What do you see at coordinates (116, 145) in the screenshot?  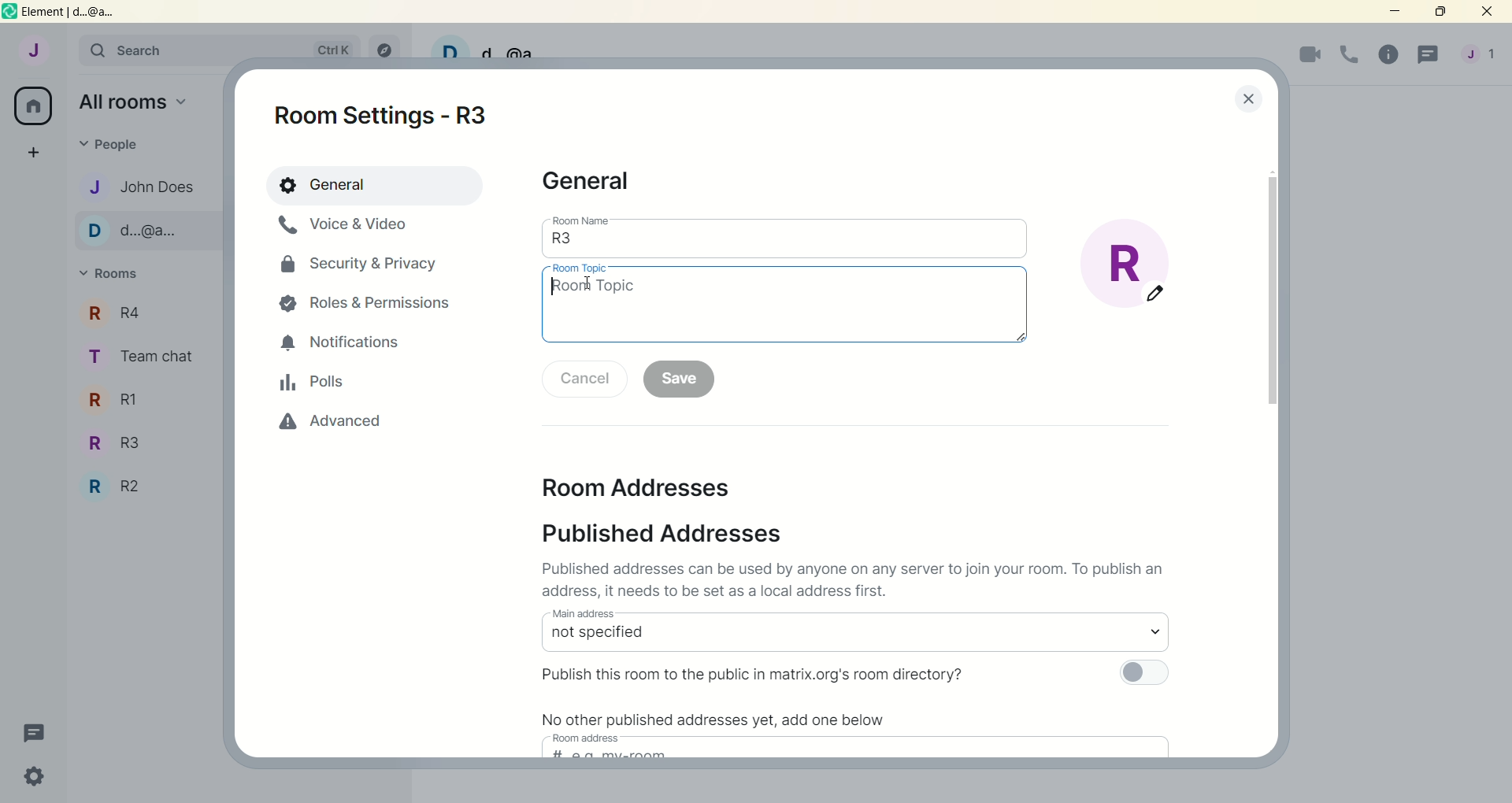 I see `people` at bounding box center [116, 145].